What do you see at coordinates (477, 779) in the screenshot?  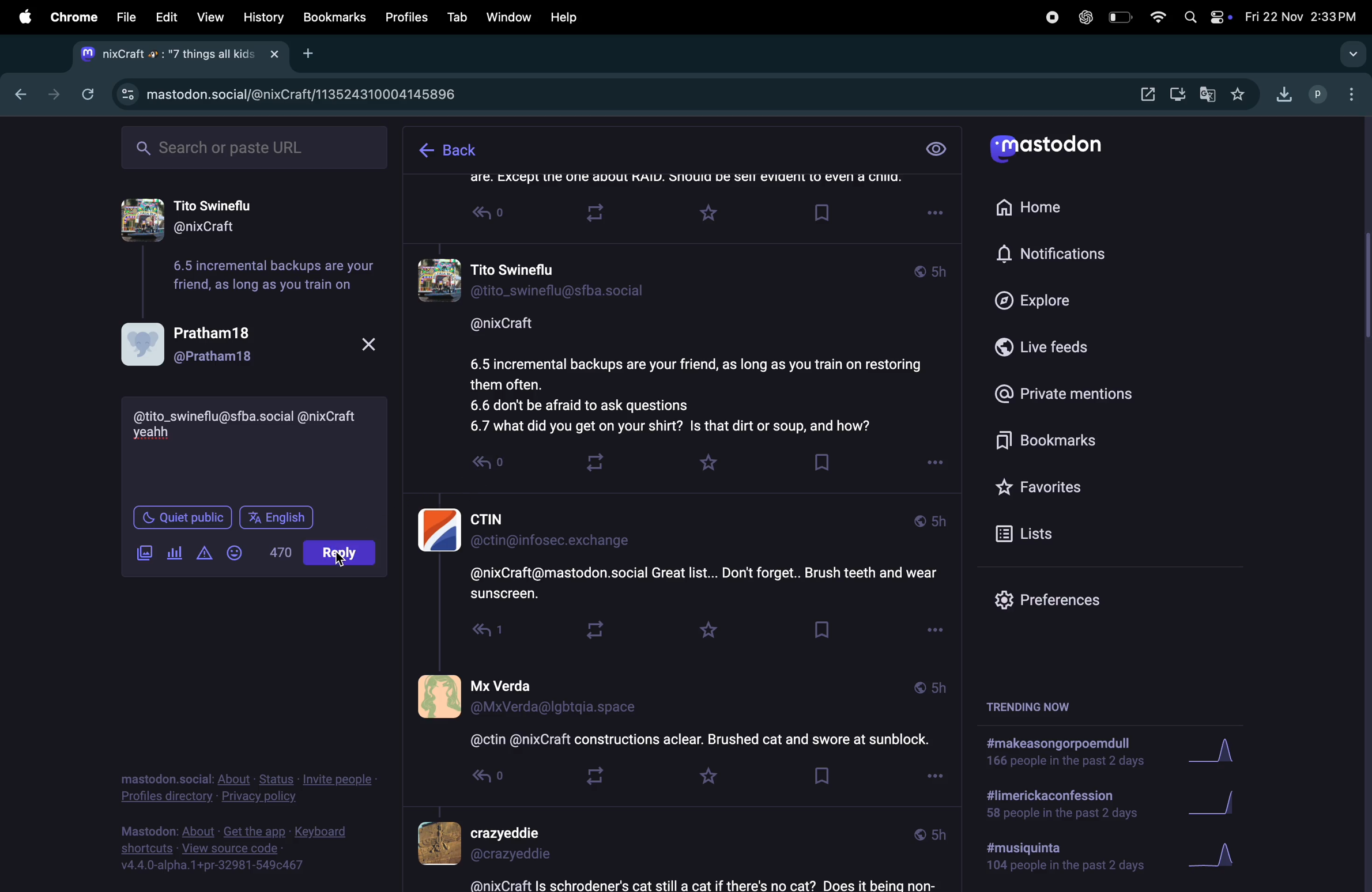 I see `Read` at bounding box center [477, 779].